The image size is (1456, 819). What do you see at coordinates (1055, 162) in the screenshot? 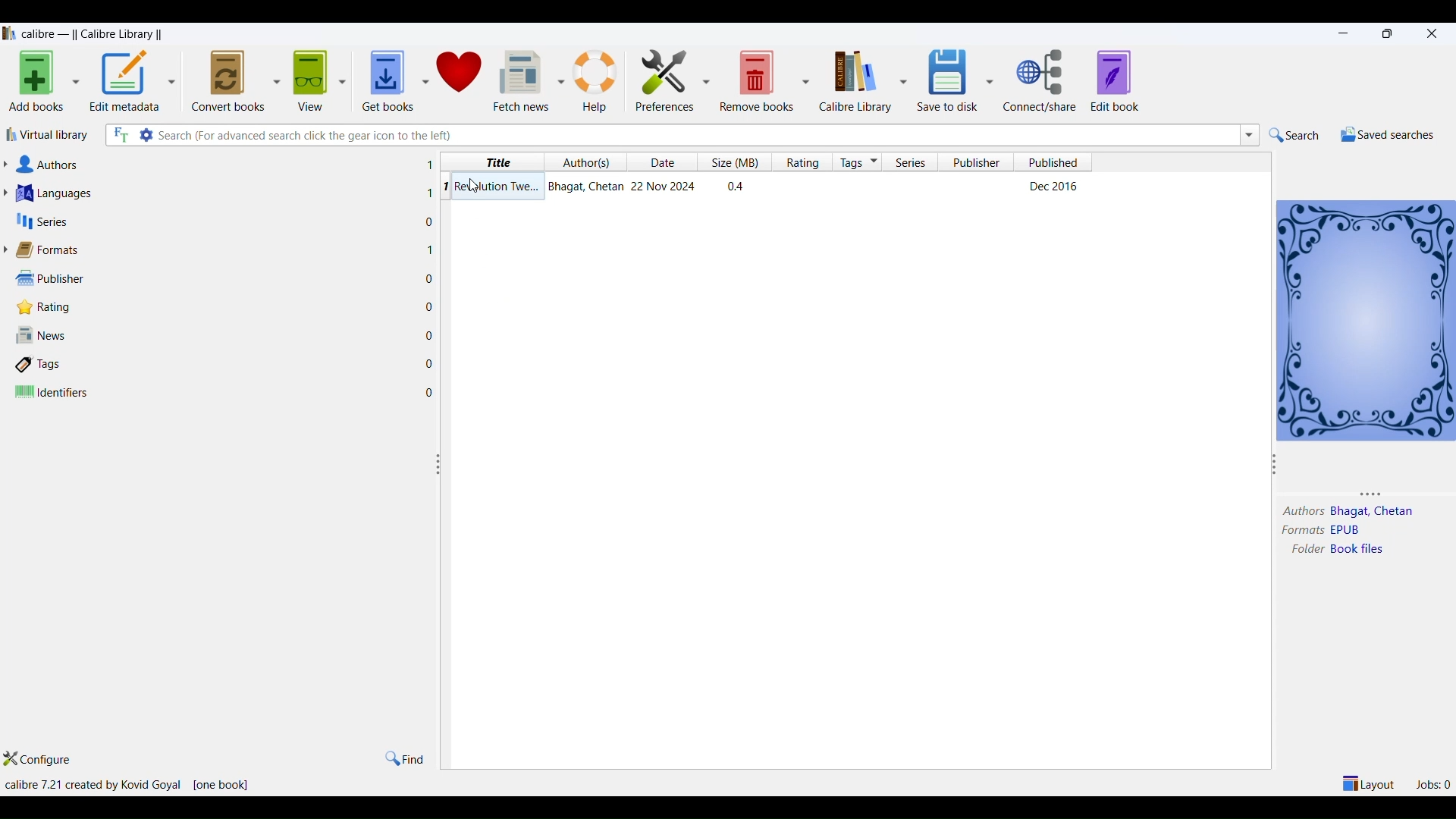
I see `published` at bounding box center [1055, 162].